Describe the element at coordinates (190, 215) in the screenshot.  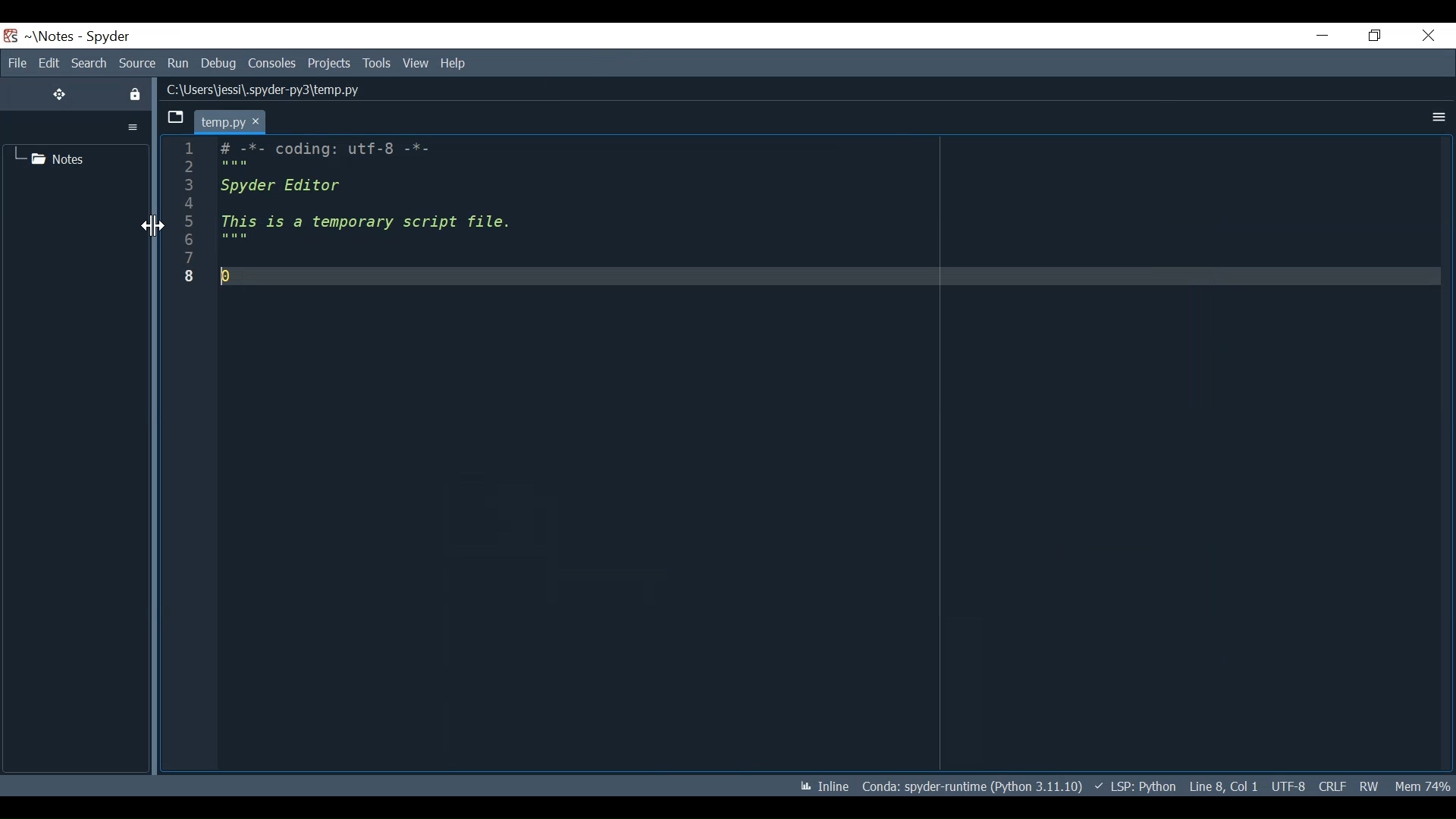
I see `line number` at that location.